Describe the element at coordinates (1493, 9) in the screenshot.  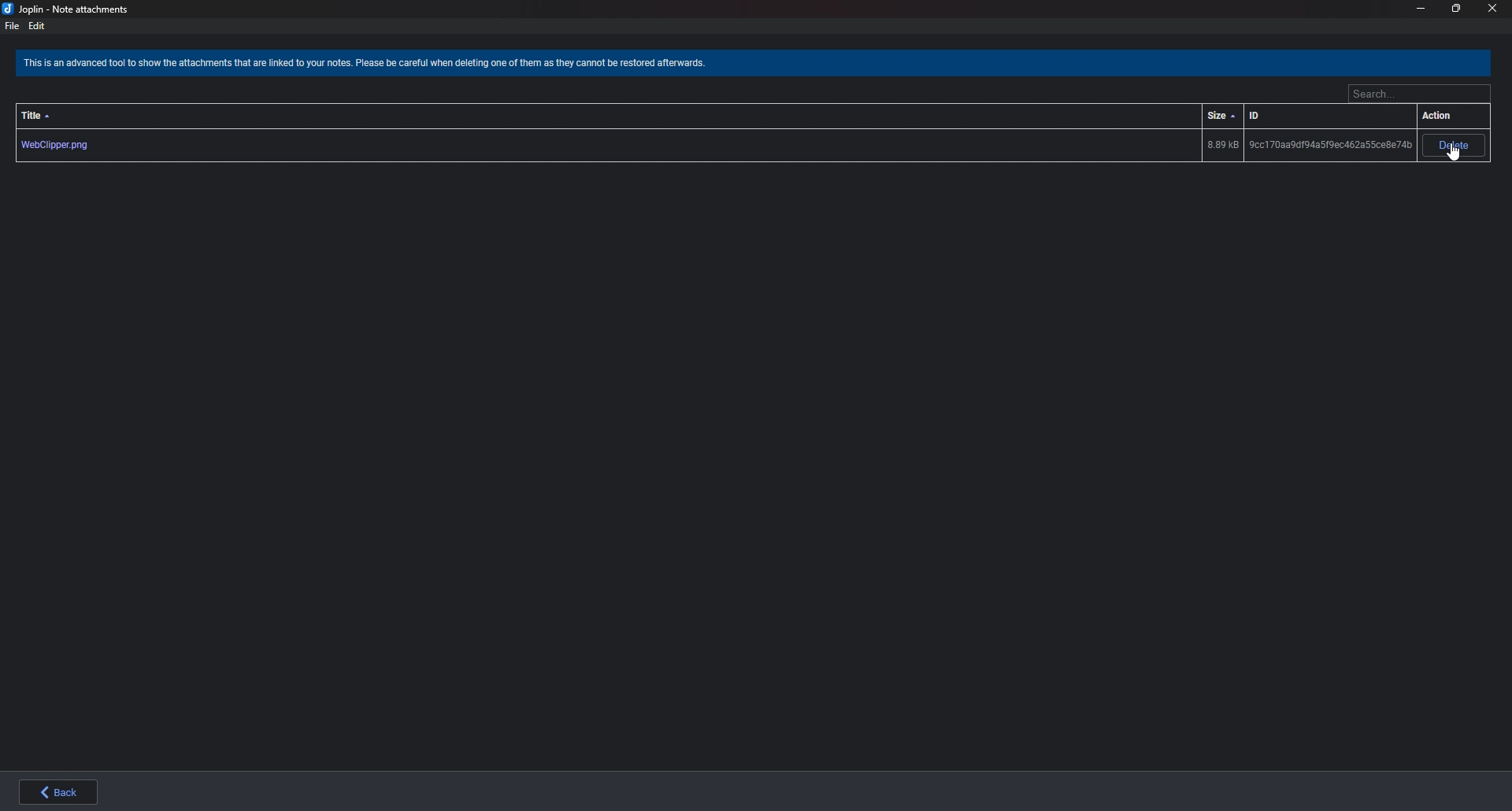
I see `close` at that location.